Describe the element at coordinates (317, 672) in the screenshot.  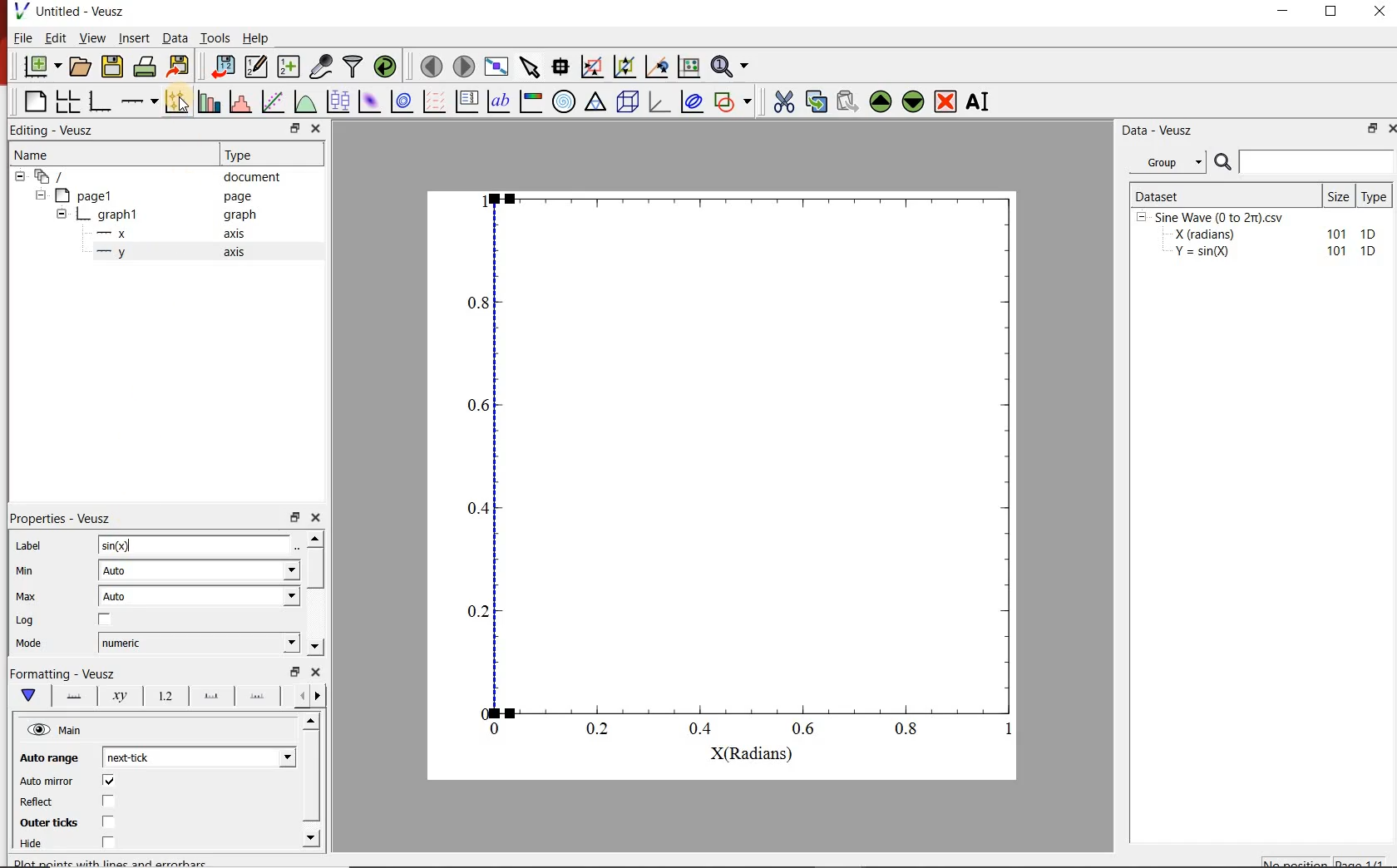
I see `Close` at that location.